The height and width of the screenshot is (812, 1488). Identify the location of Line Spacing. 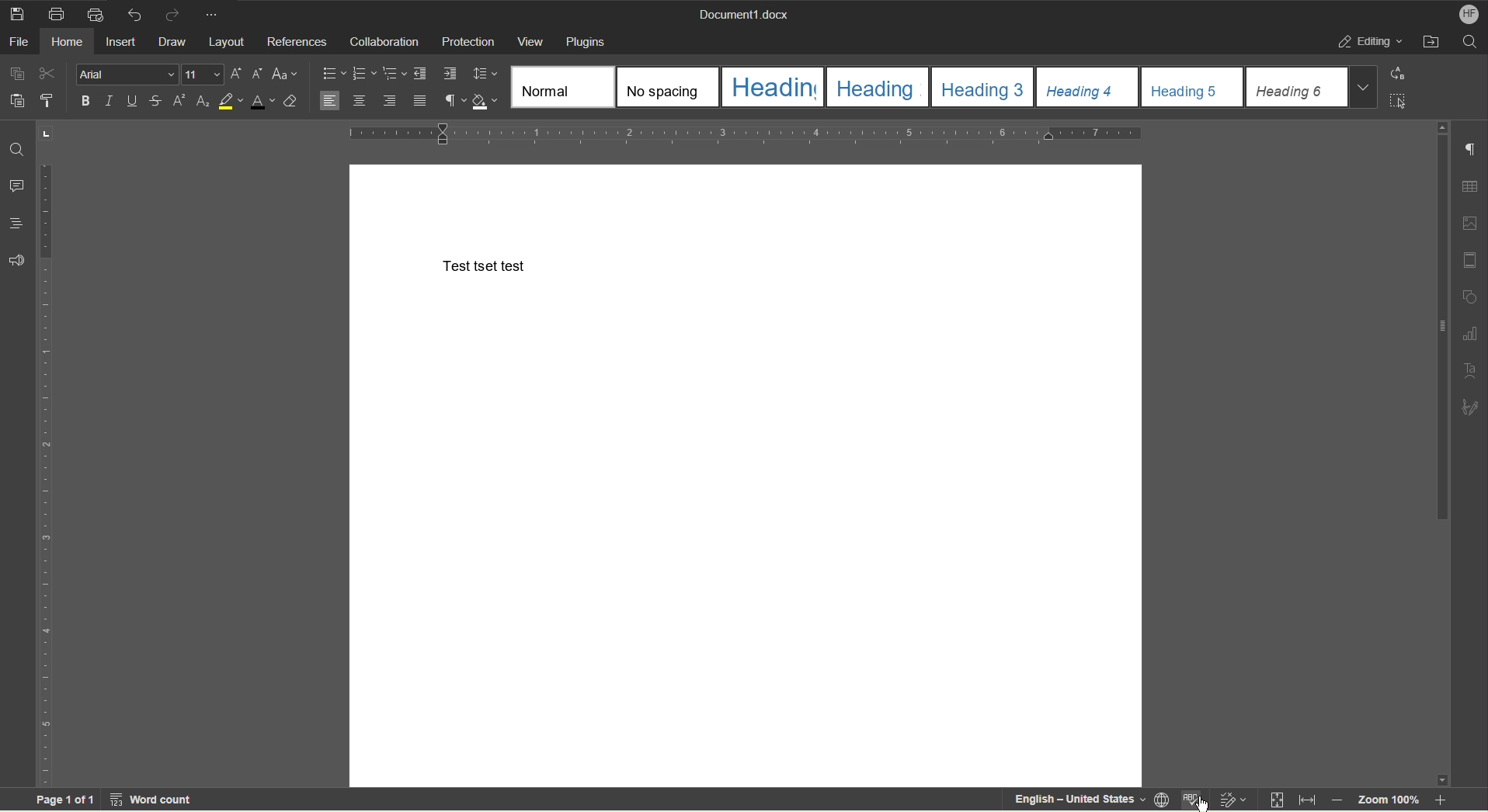
(486, 75).